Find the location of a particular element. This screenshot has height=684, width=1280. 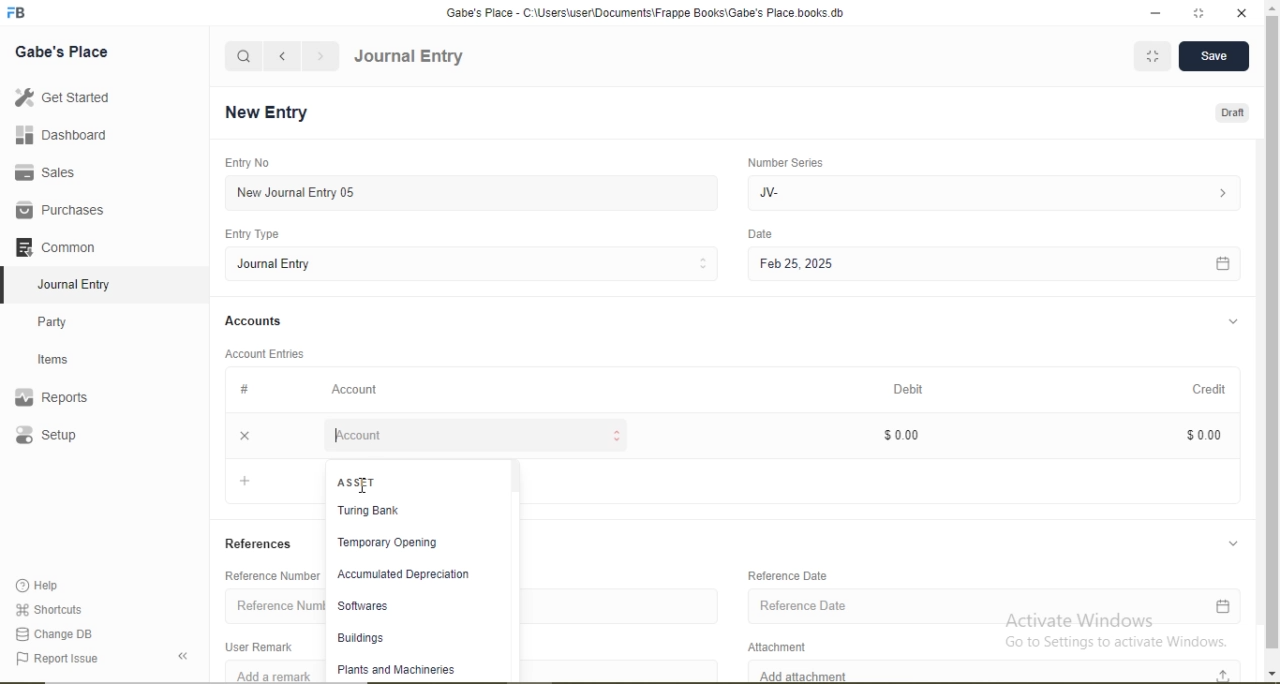

Account Entries is located at coordinates (263, 352).